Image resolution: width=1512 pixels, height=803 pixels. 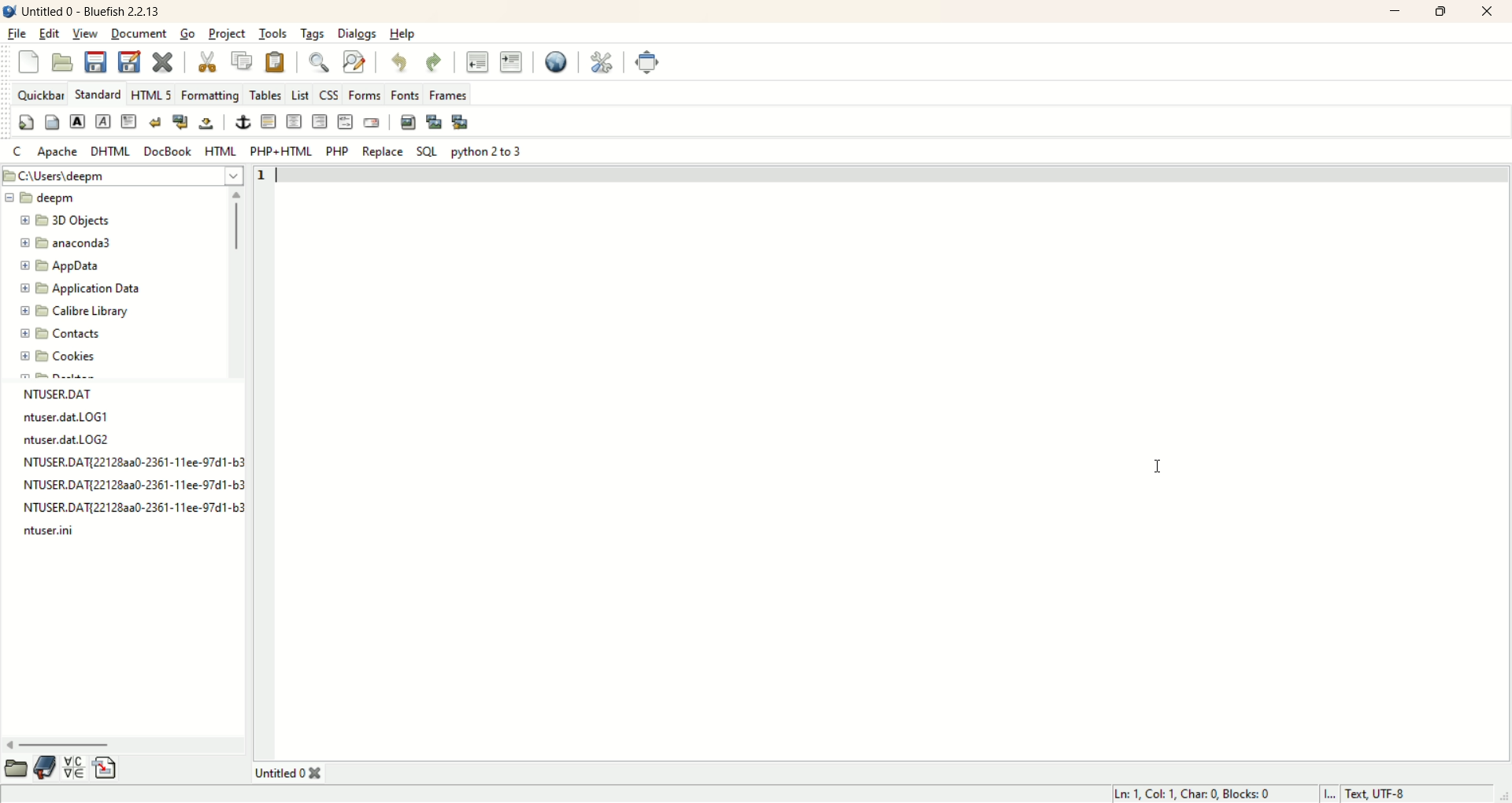 What do you see at coordinates (210, 95) in the screenshot?
I see `formatting` at bounding box center [210, 95].